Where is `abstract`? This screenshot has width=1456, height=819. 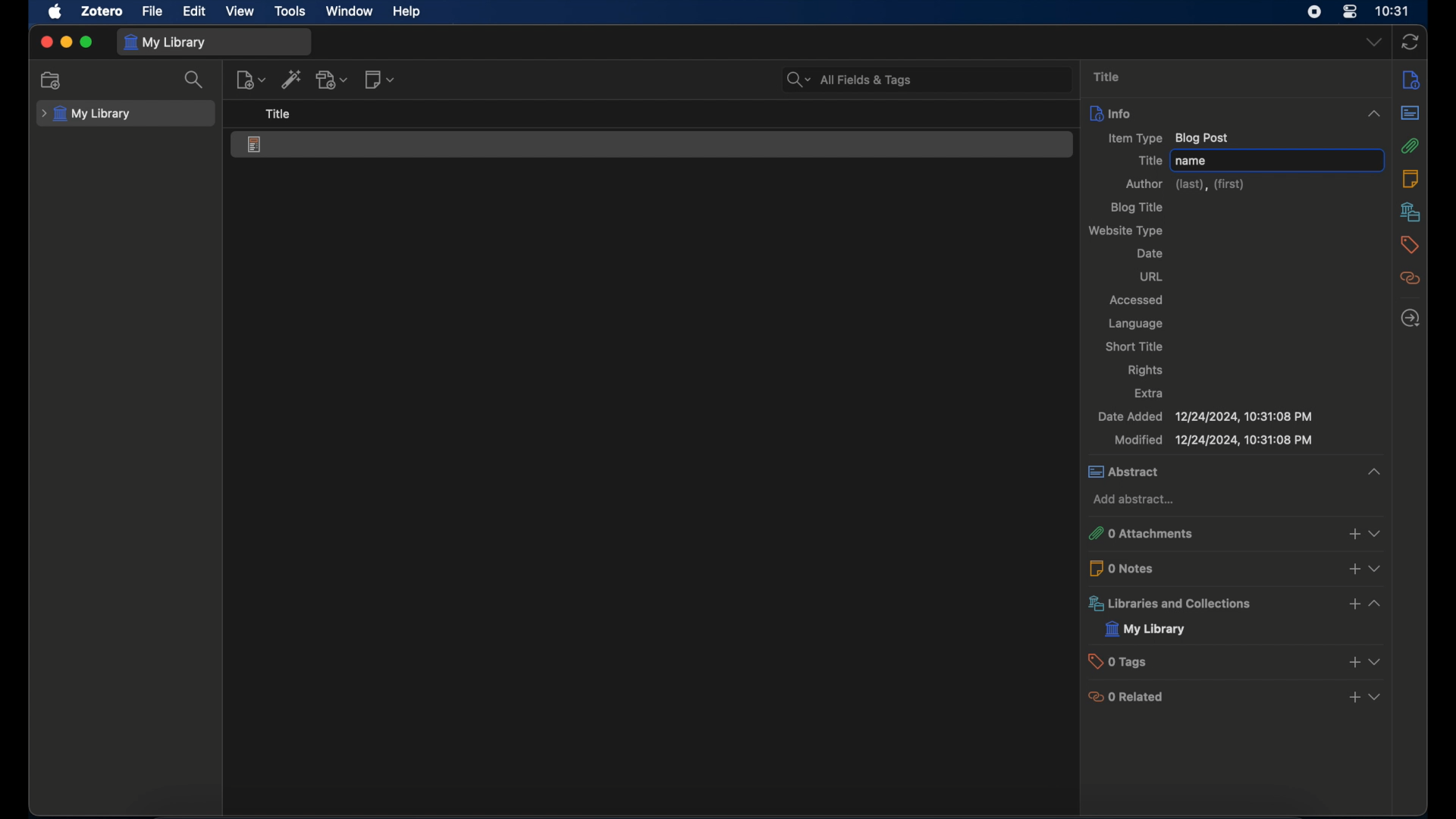
abstract is located at coordinates (1233, 472).